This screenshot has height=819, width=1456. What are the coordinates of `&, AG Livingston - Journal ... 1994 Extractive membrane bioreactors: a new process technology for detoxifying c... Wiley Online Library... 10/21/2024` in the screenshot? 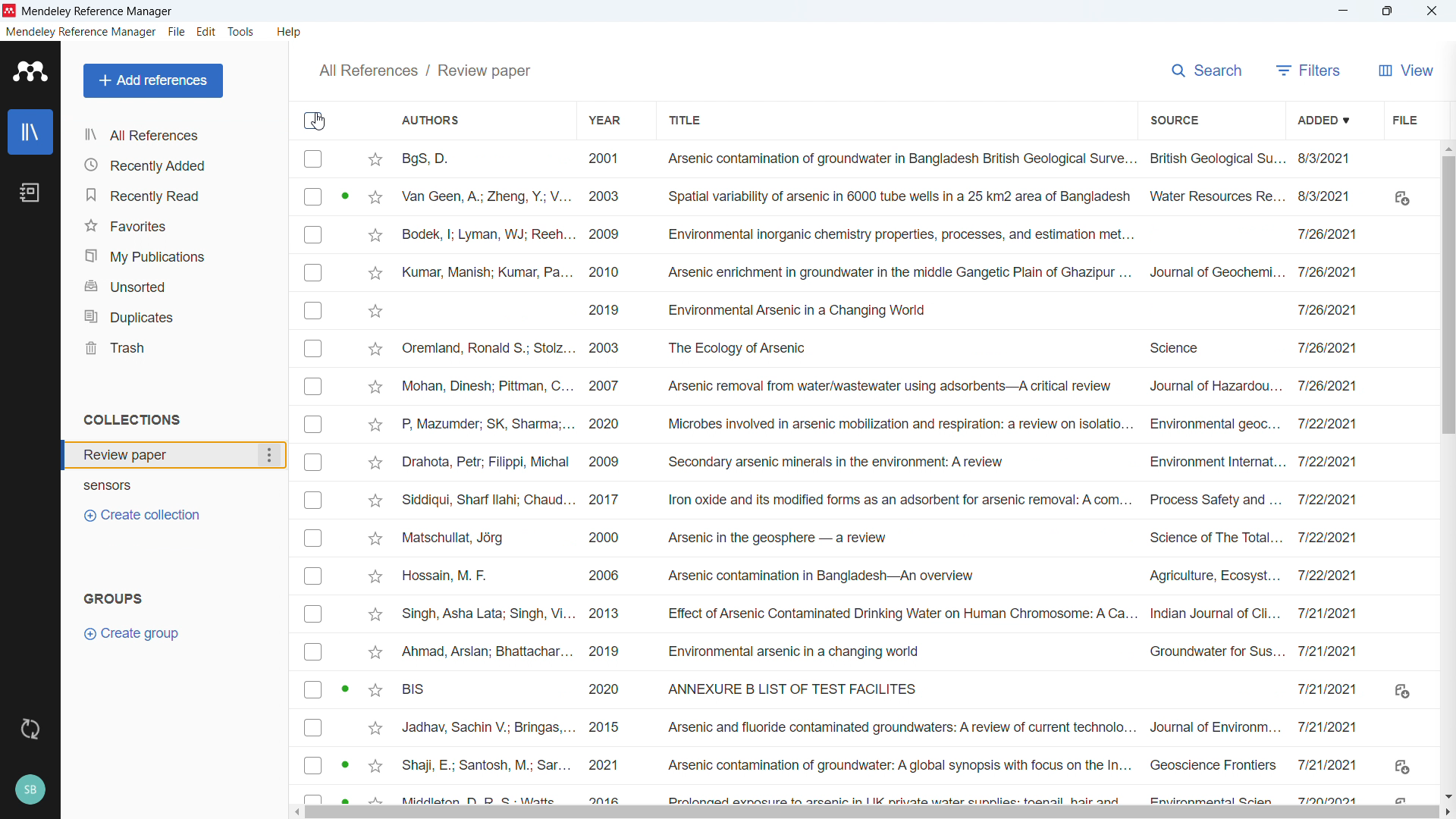 It's located at (883, 726).